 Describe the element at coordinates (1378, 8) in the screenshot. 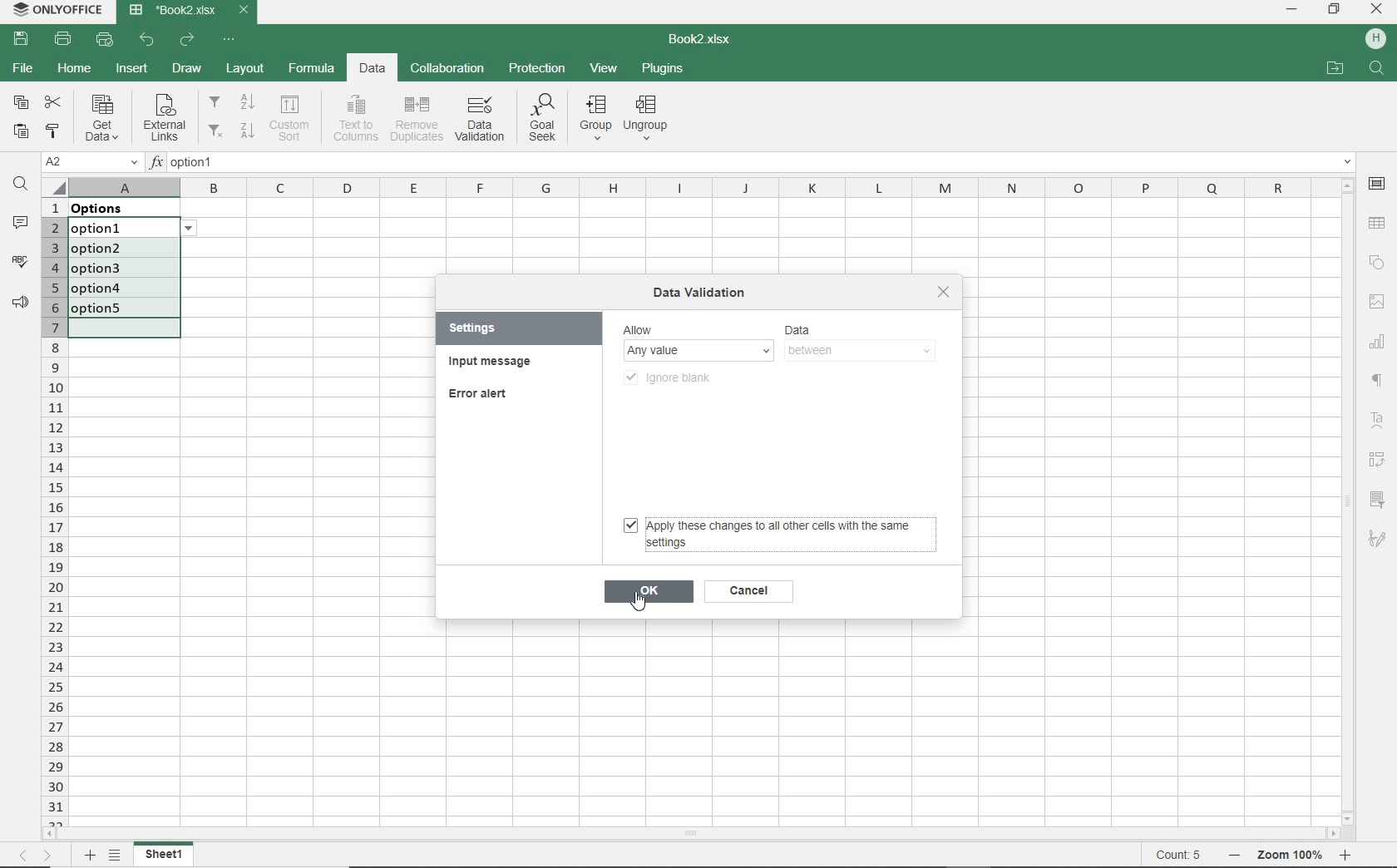

I see `CLOSE` at that location.